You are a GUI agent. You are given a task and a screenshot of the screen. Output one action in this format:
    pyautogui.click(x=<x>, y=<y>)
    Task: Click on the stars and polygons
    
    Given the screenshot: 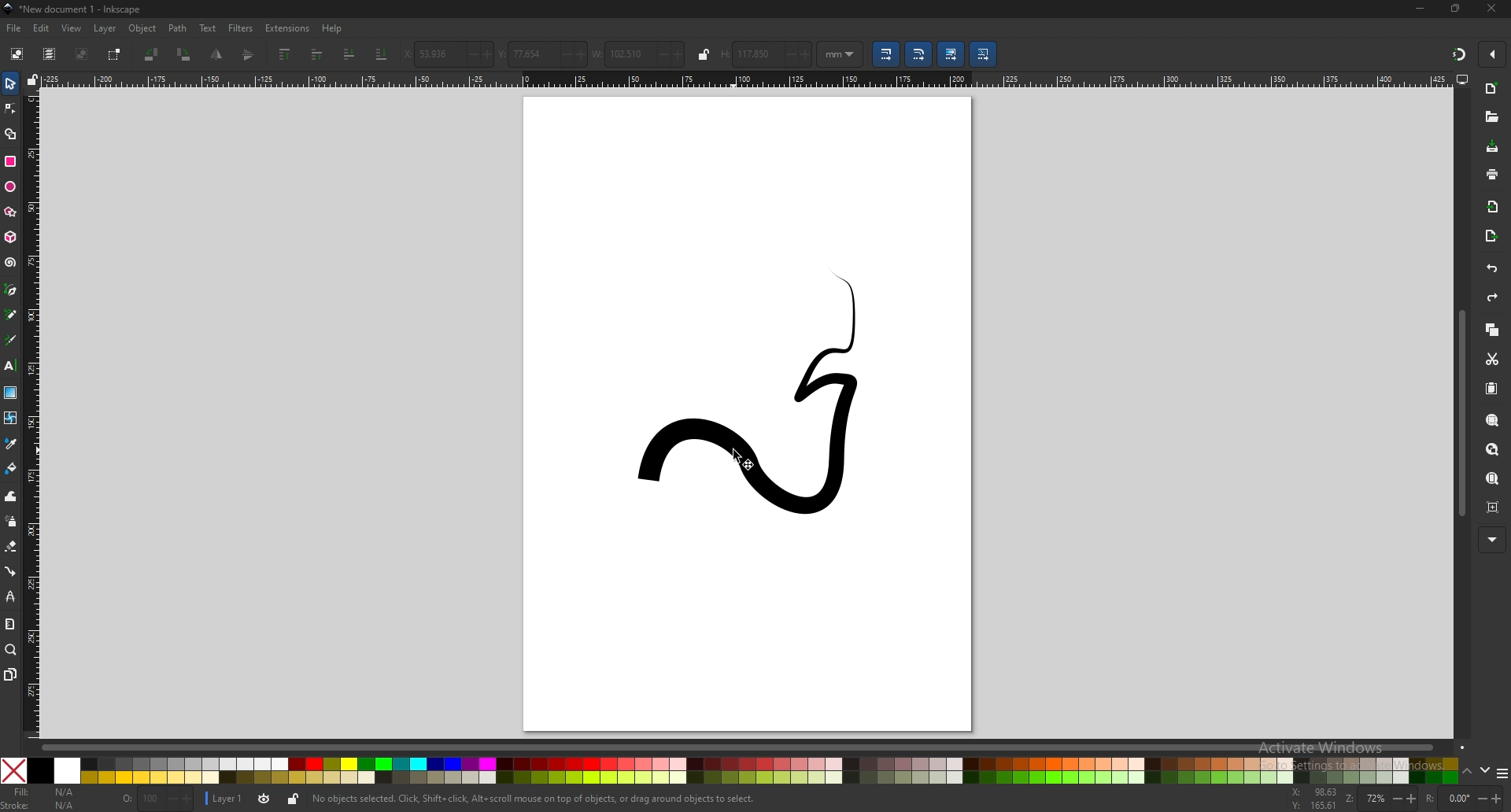 What is the action you would take?
    pyautogui.click(x=10, y=212)
    